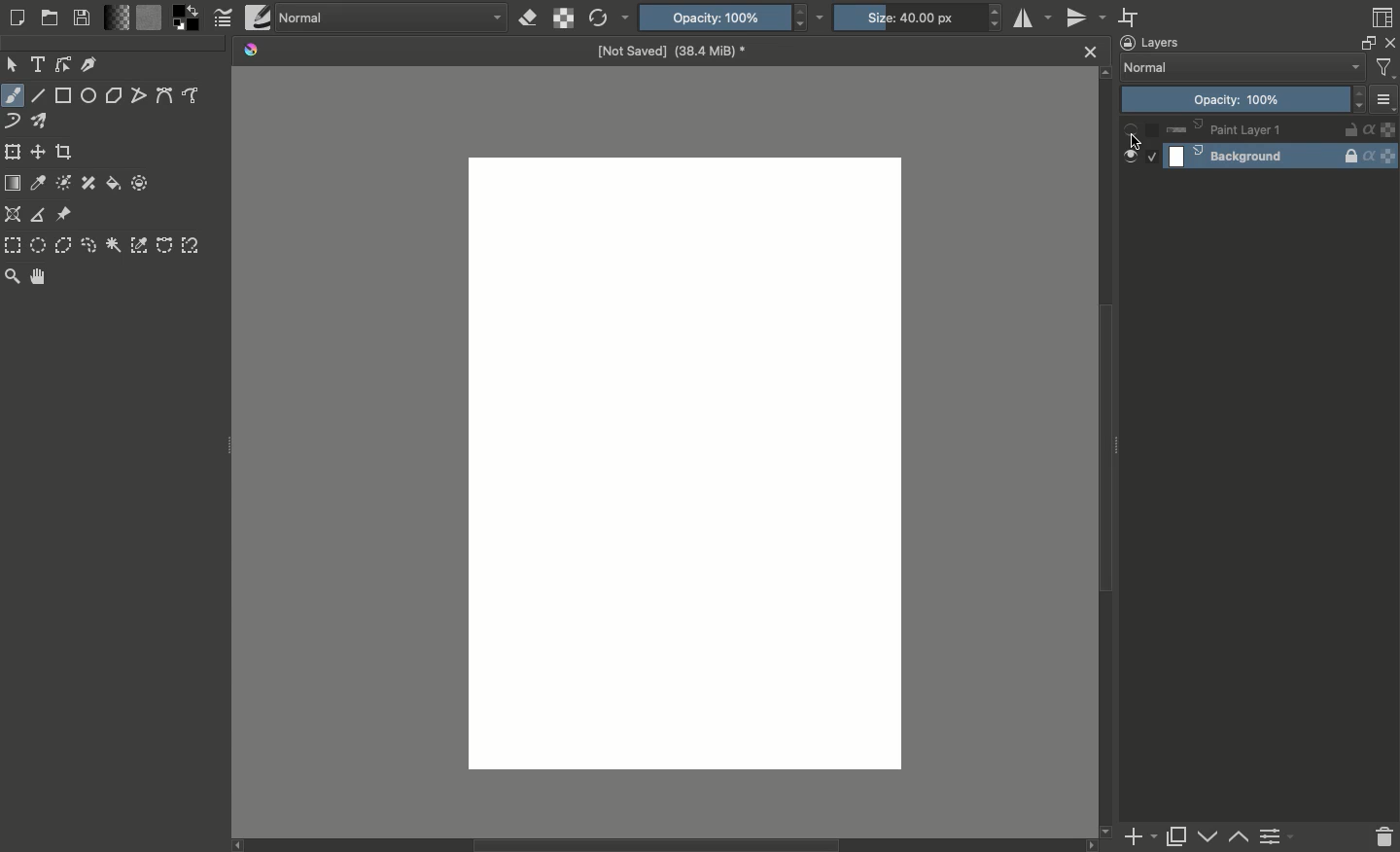  What do you see at coordinates (114, 245) in the screenshot?
I see `Contiguous selection tool` at bounding box center [114, 245].